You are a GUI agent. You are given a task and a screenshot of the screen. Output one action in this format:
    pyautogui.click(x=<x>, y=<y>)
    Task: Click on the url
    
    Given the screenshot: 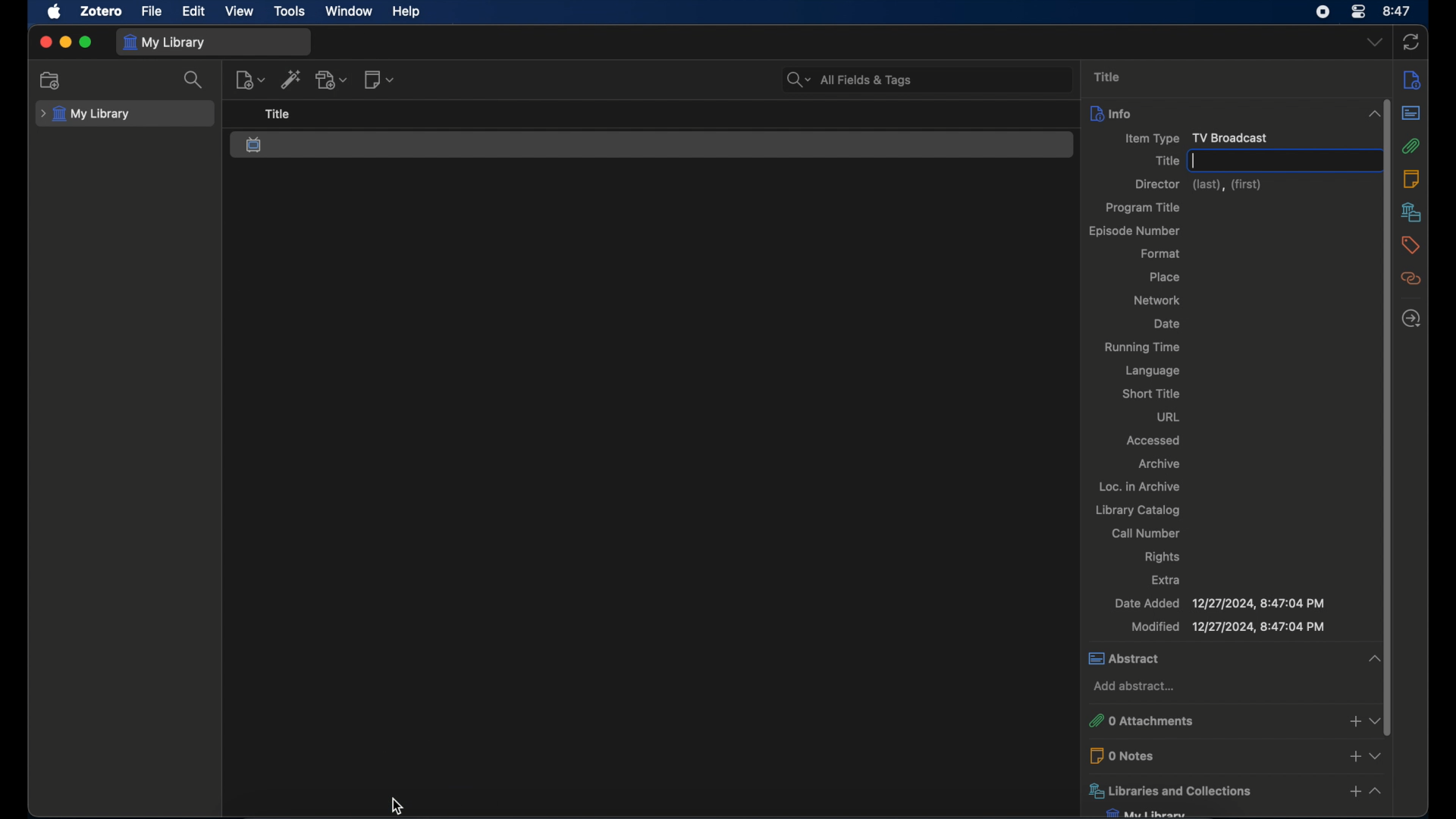 What is the action you would take?
    pyautogui.click(x=1169, y=416)
    